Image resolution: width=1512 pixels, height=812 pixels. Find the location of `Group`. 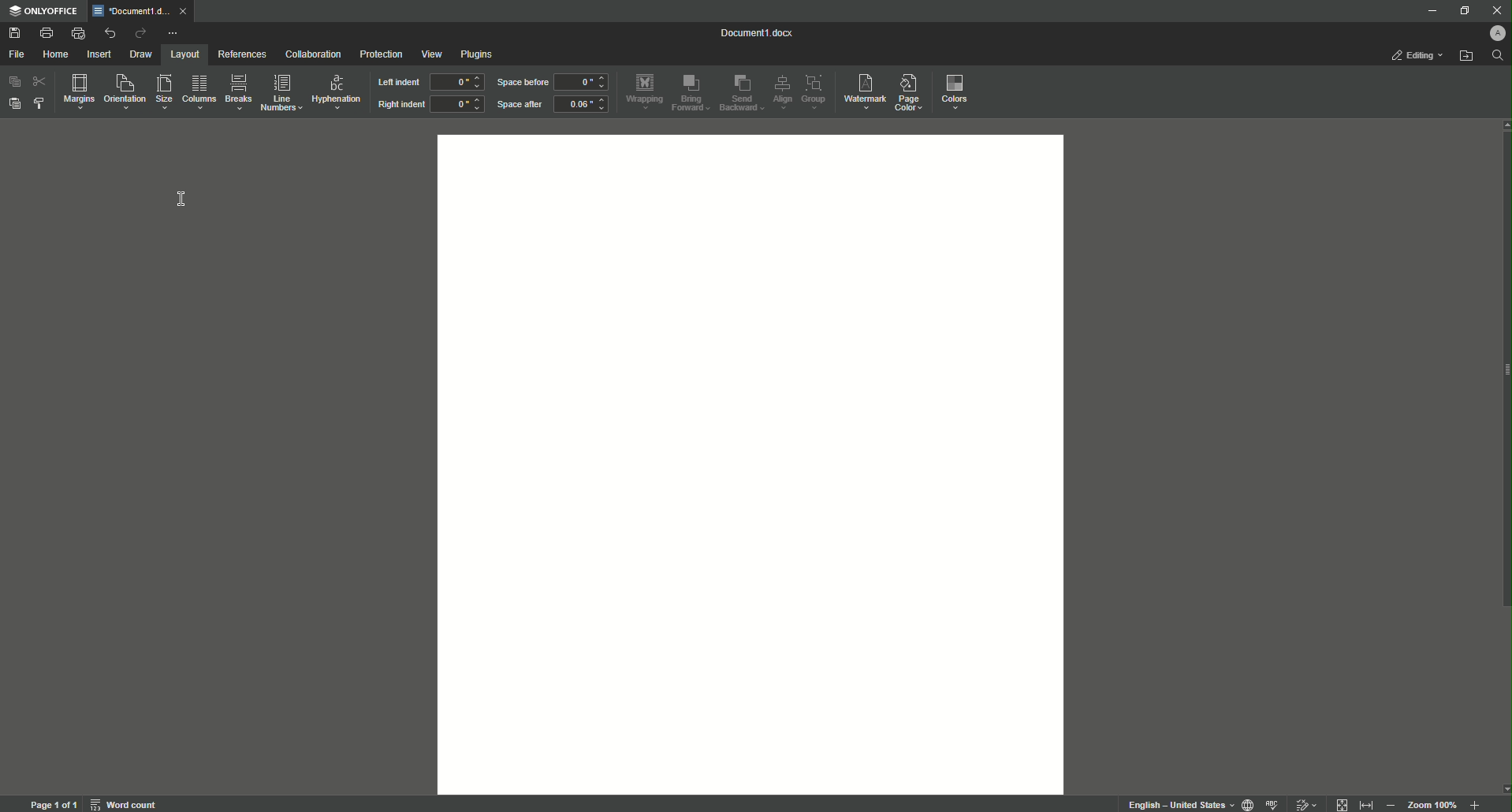

Group is located at coordinates (817, 92).